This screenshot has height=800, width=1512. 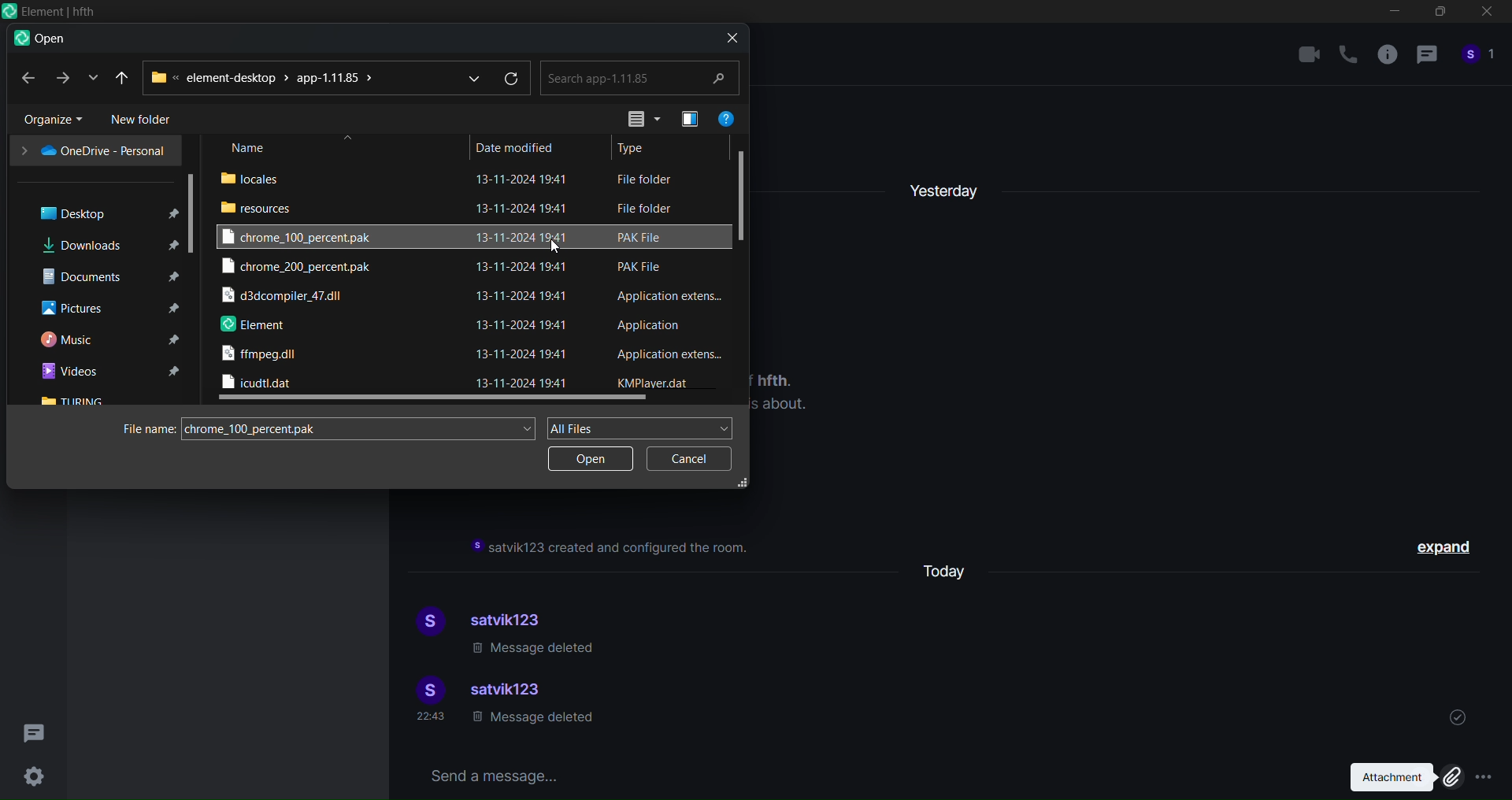 What do you see at coordinates (306, 236) in the screenshot?
I see `chrome 100` at bounding box center [306, 236].